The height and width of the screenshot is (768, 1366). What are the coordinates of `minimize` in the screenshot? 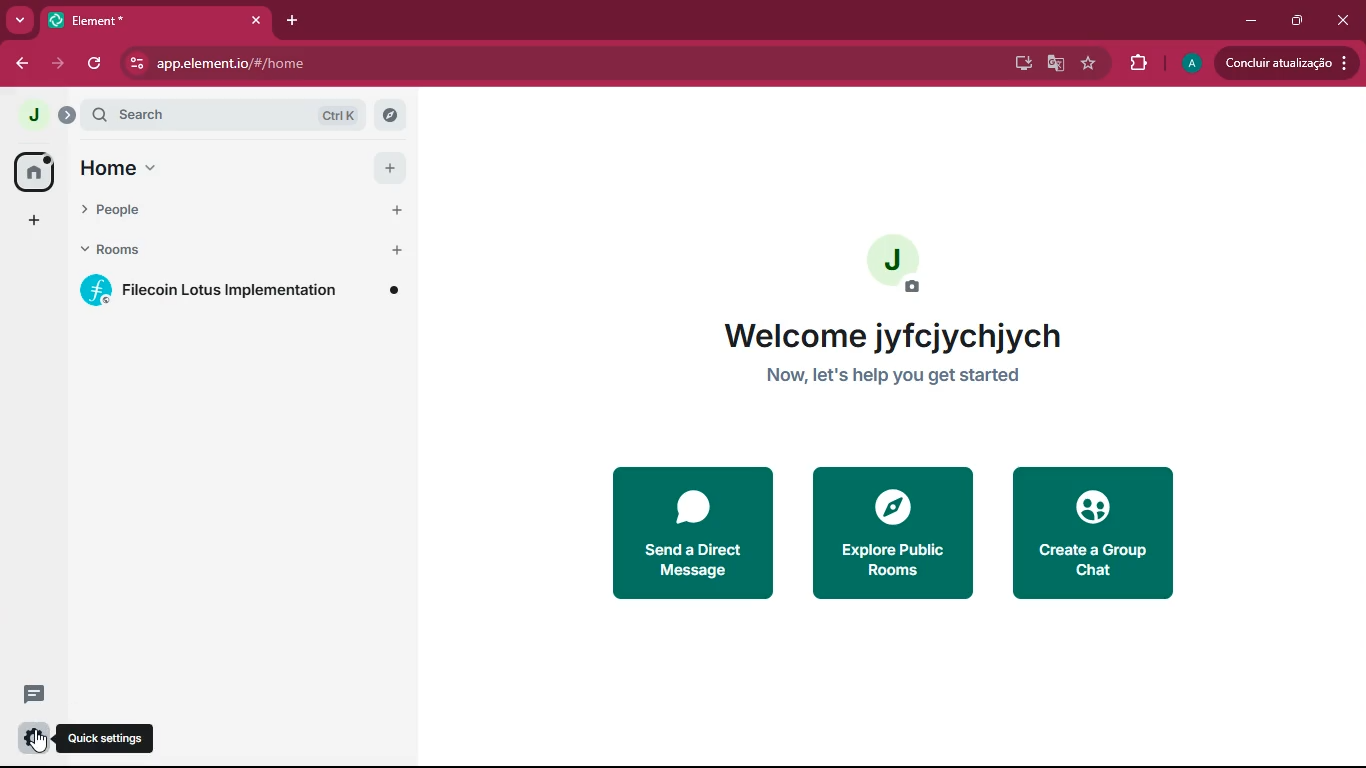 It's located at (1247, 19).